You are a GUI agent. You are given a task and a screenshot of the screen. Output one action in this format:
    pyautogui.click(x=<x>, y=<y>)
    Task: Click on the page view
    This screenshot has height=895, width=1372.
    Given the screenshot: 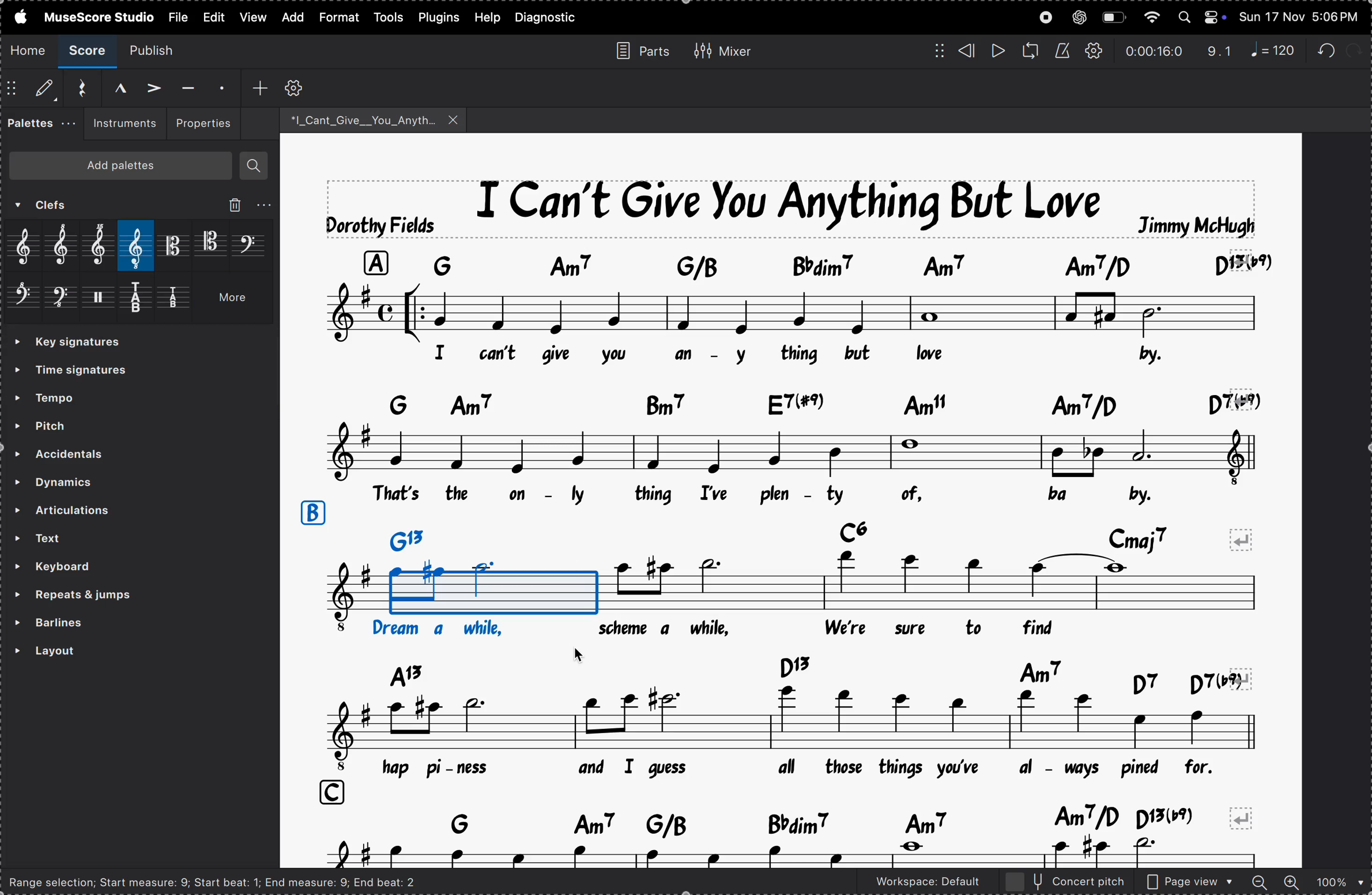 What is the action you would take?
    pyautogui.click(x=1190, y=882)
    